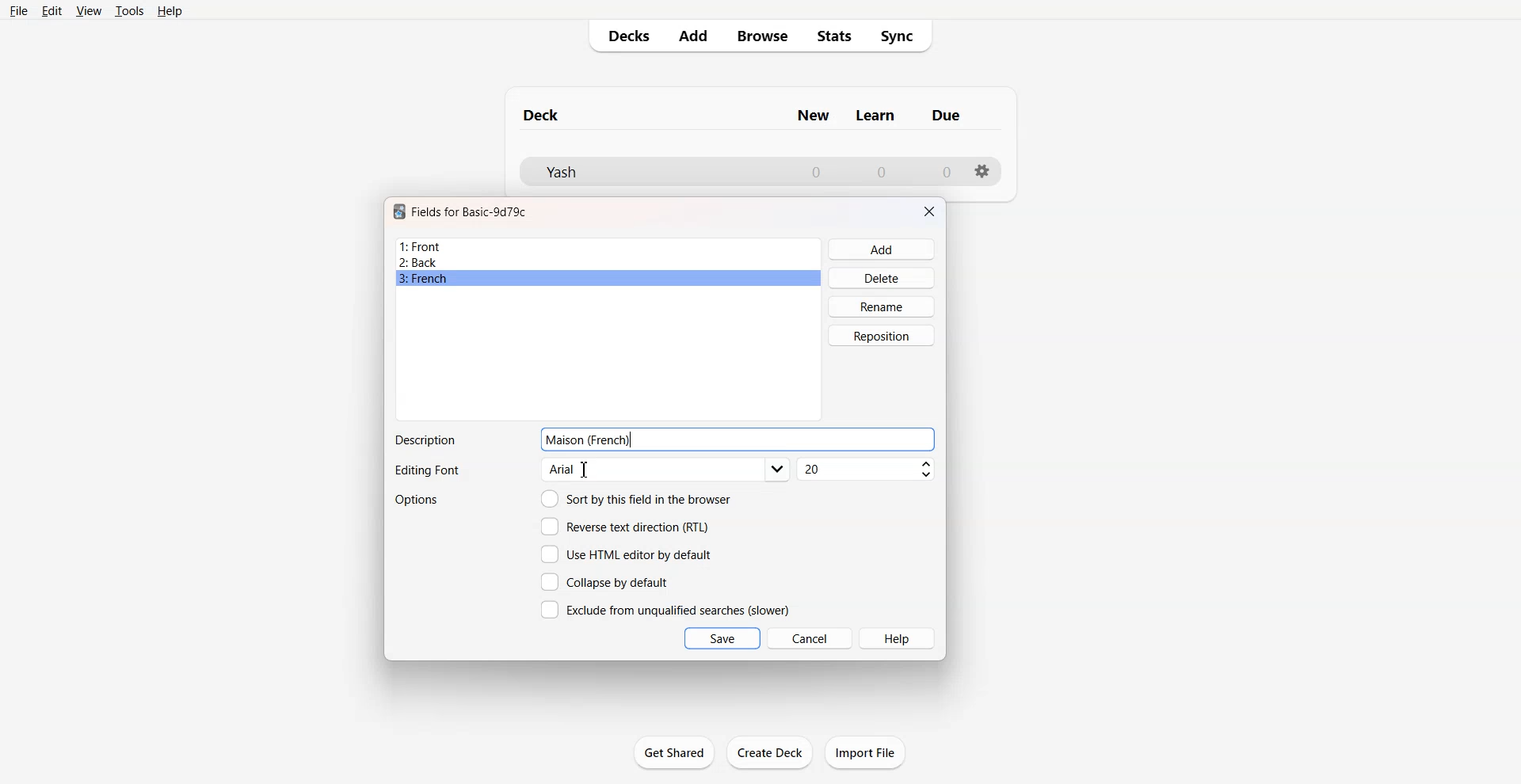  Describe the element at coordinates (399, 211) in the screenshot. I see `Software logo` at that location.